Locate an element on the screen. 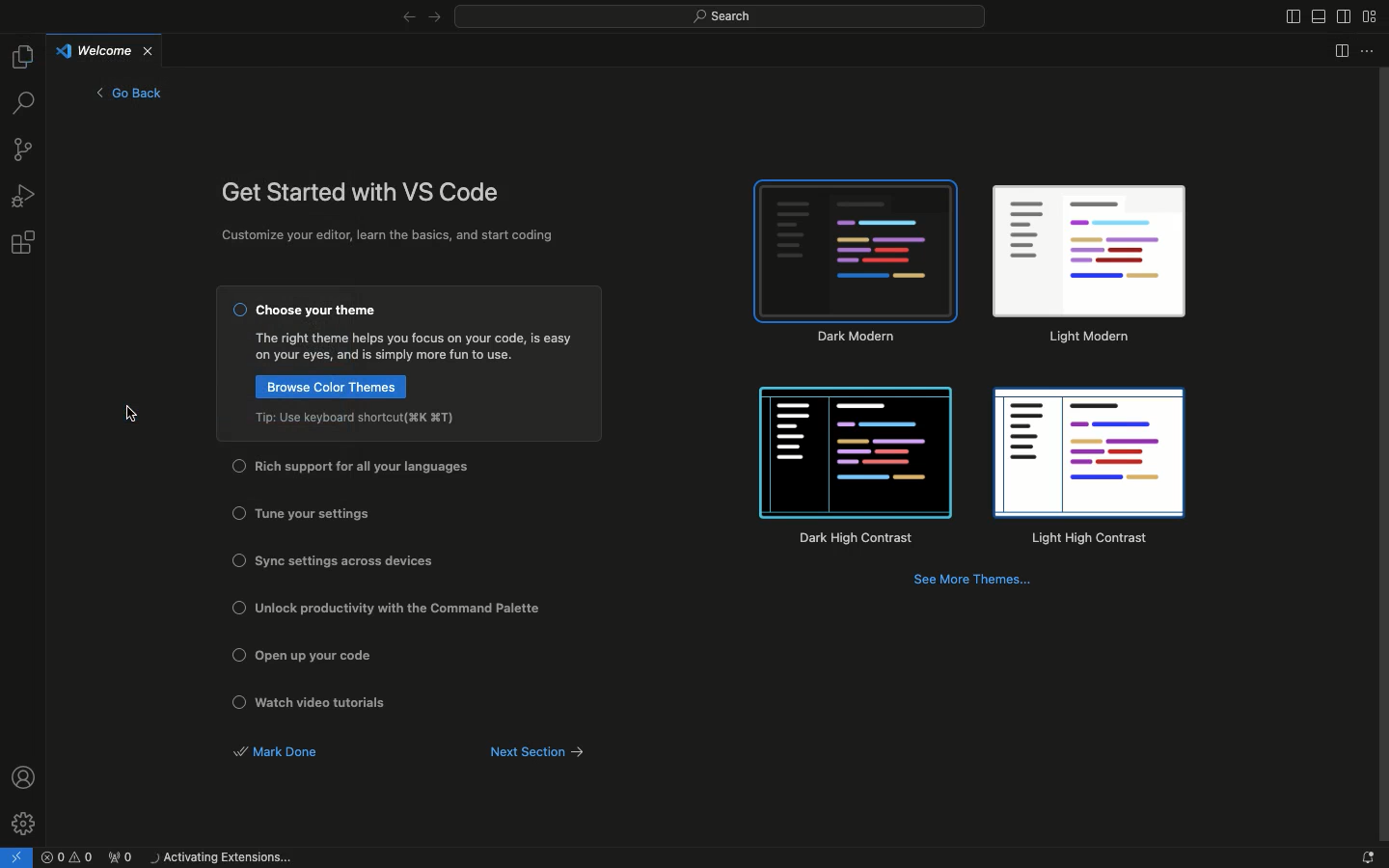  Source control is located at coordinates (25, 152).